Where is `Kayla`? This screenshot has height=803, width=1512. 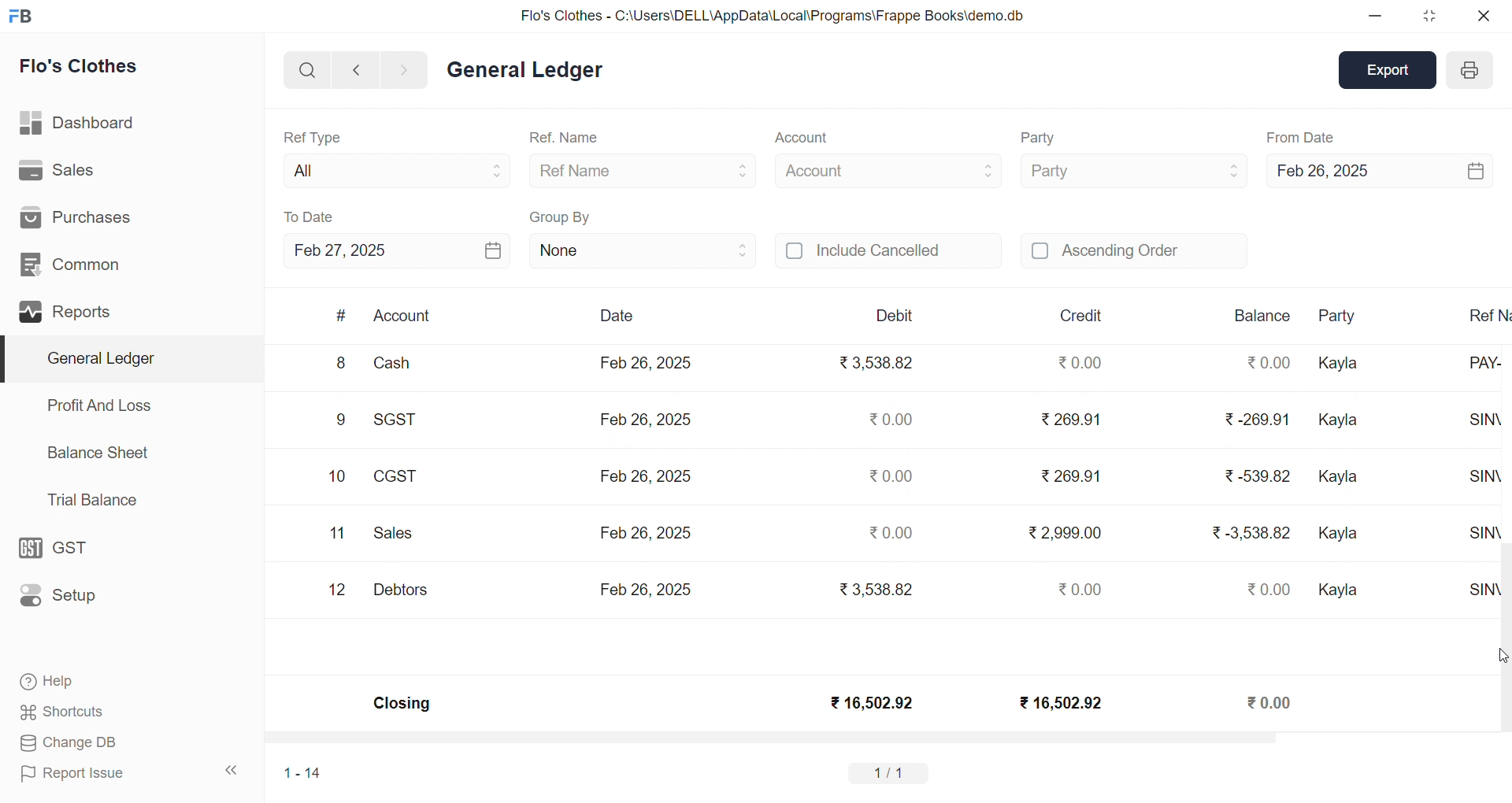 Kayla is located at coordinates (1341, 591).